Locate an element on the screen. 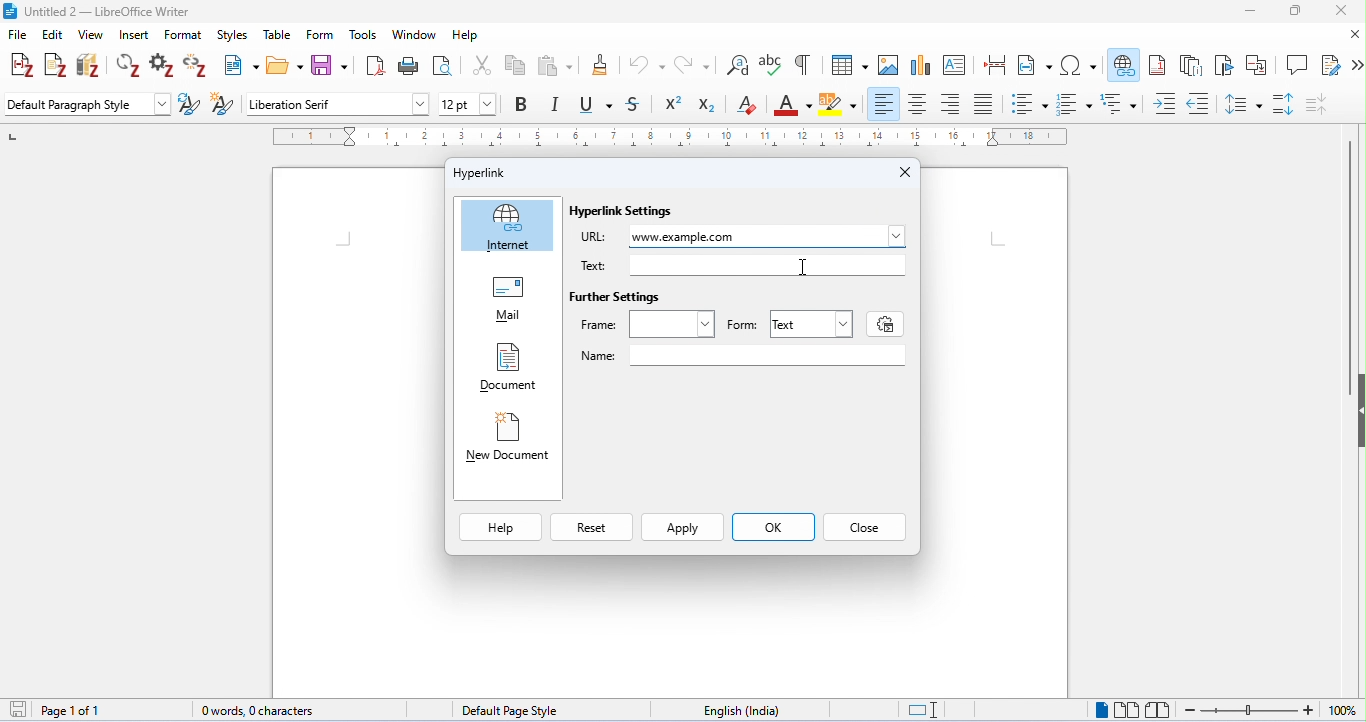  redo is located at coordinates (692, 65).